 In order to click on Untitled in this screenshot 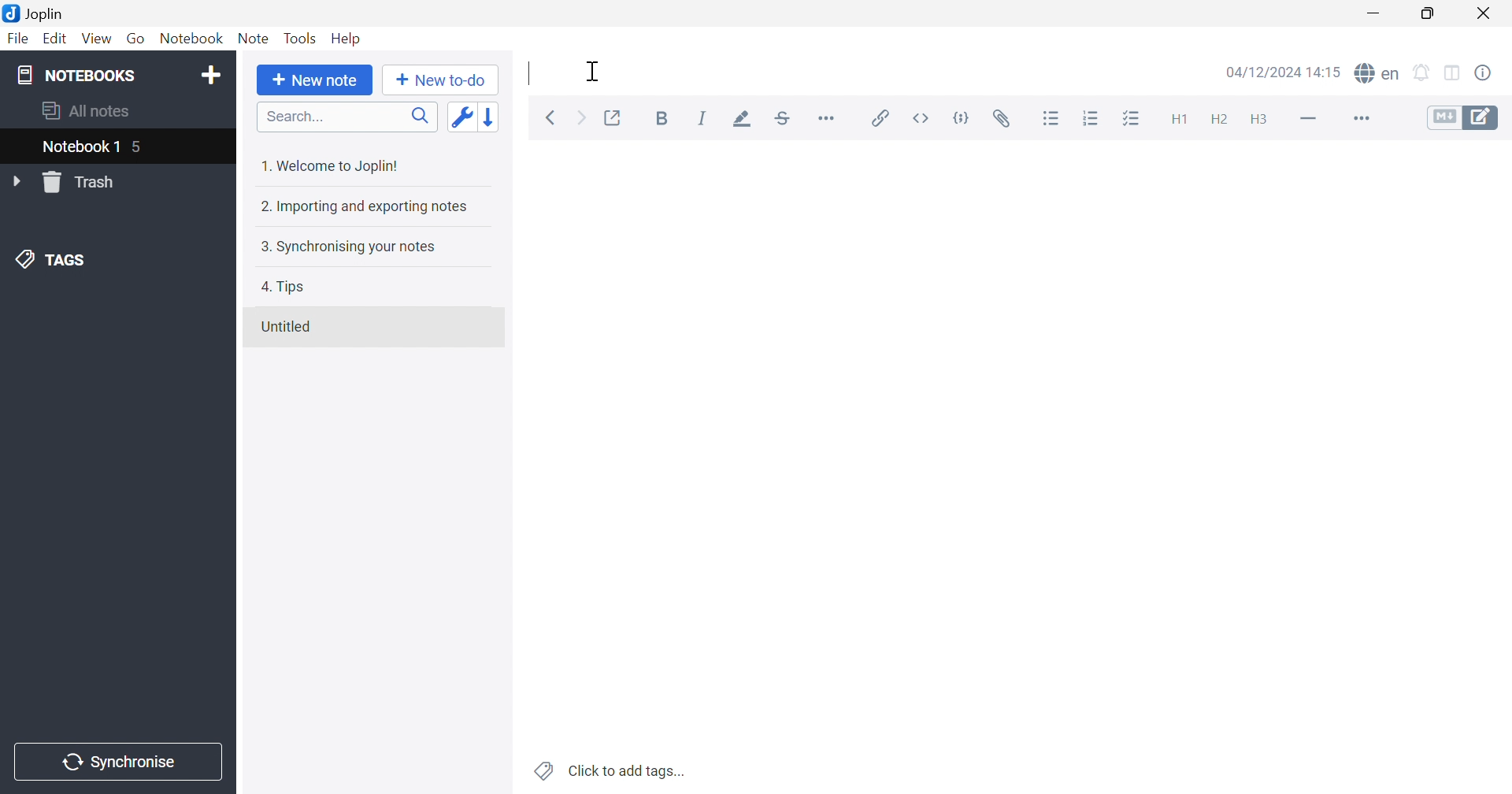, I will do `click(286, 327)`.